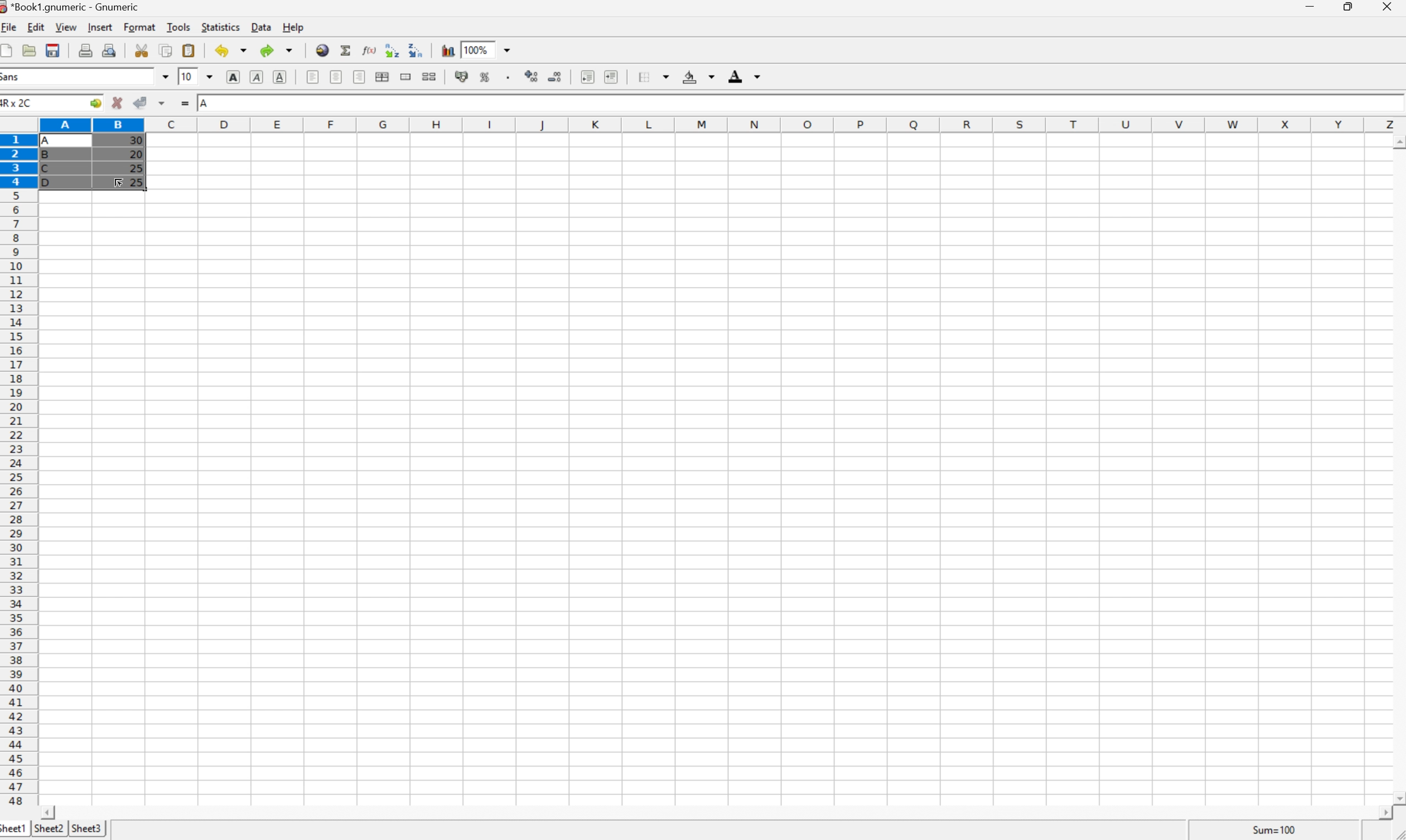 Image resolution: width=1406 pixels, height=840 pixels. Describe the element at coordinates (486, 79) in the screenshot. I see `Format selection as percentage` at that location.